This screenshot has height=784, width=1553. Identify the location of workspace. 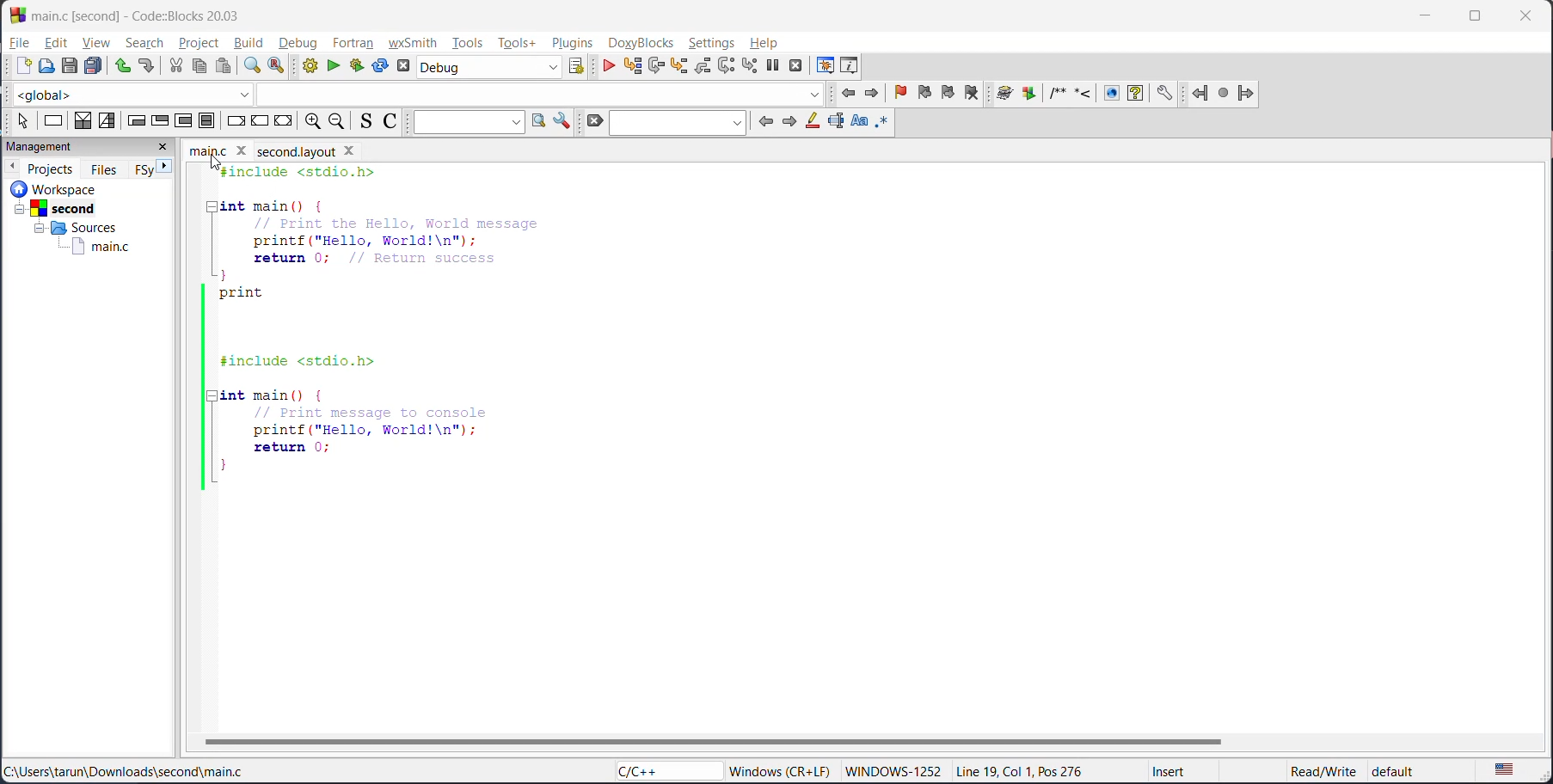
(81, 188).